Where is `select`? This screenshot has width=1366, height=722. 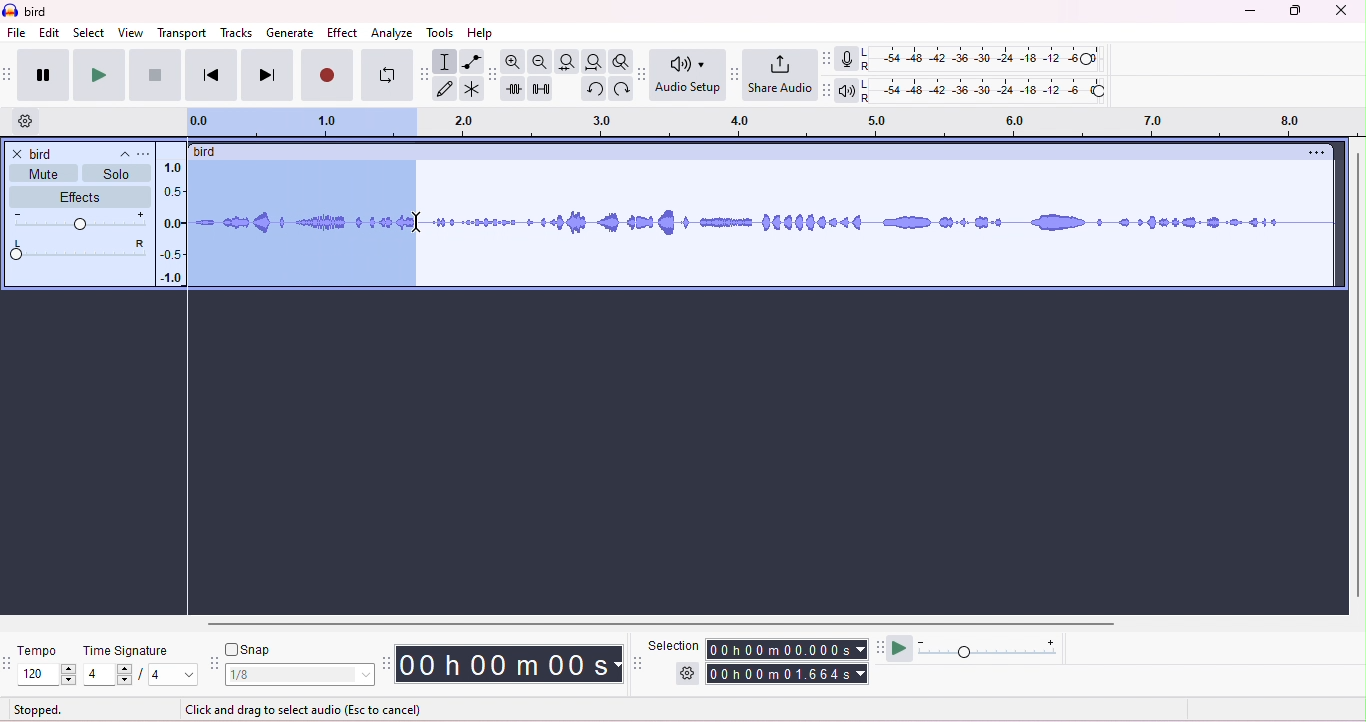
select is located at coordinates (88, 33).